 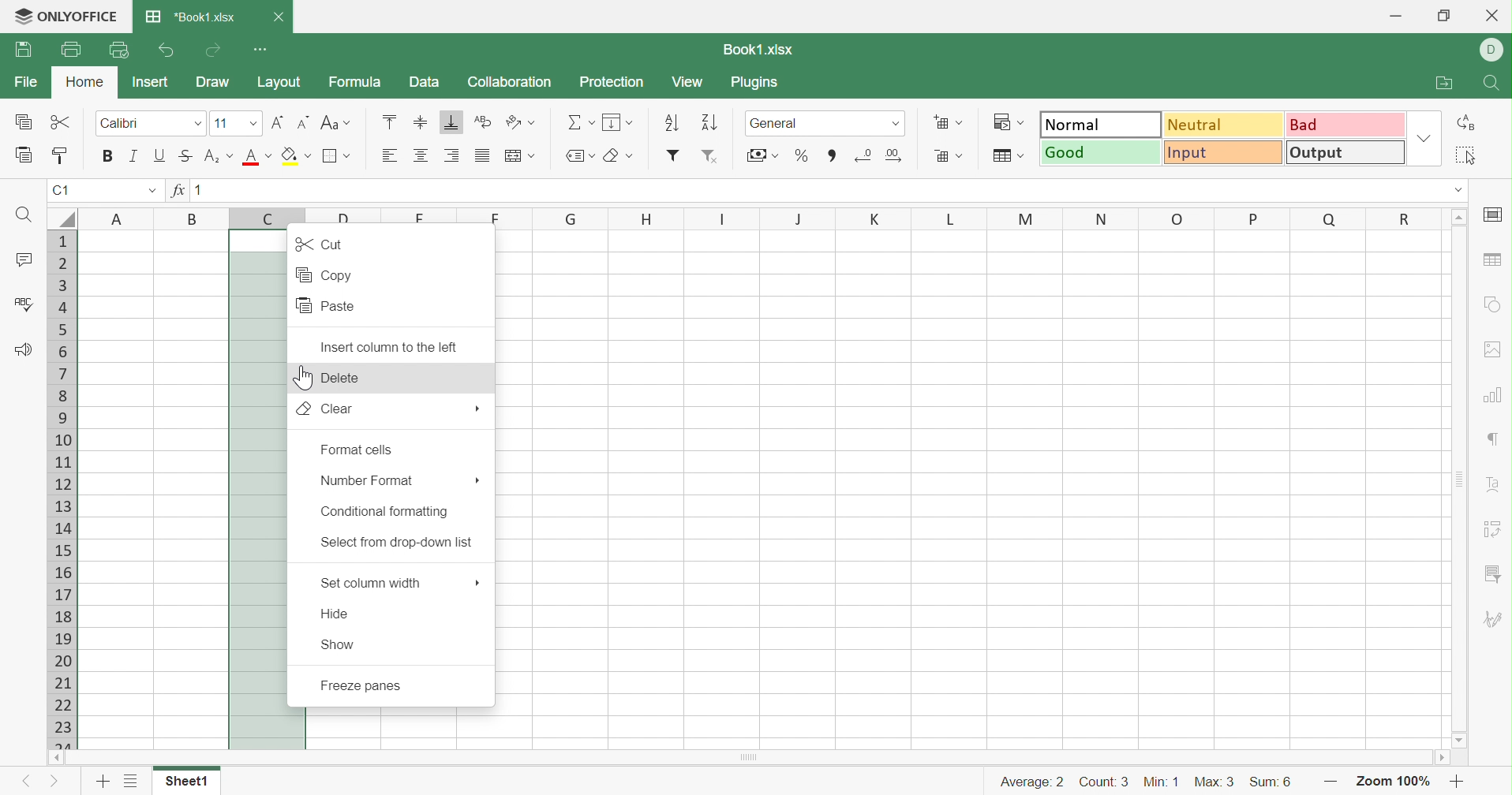 I want to click on Copy, so click(x=24, y=122).